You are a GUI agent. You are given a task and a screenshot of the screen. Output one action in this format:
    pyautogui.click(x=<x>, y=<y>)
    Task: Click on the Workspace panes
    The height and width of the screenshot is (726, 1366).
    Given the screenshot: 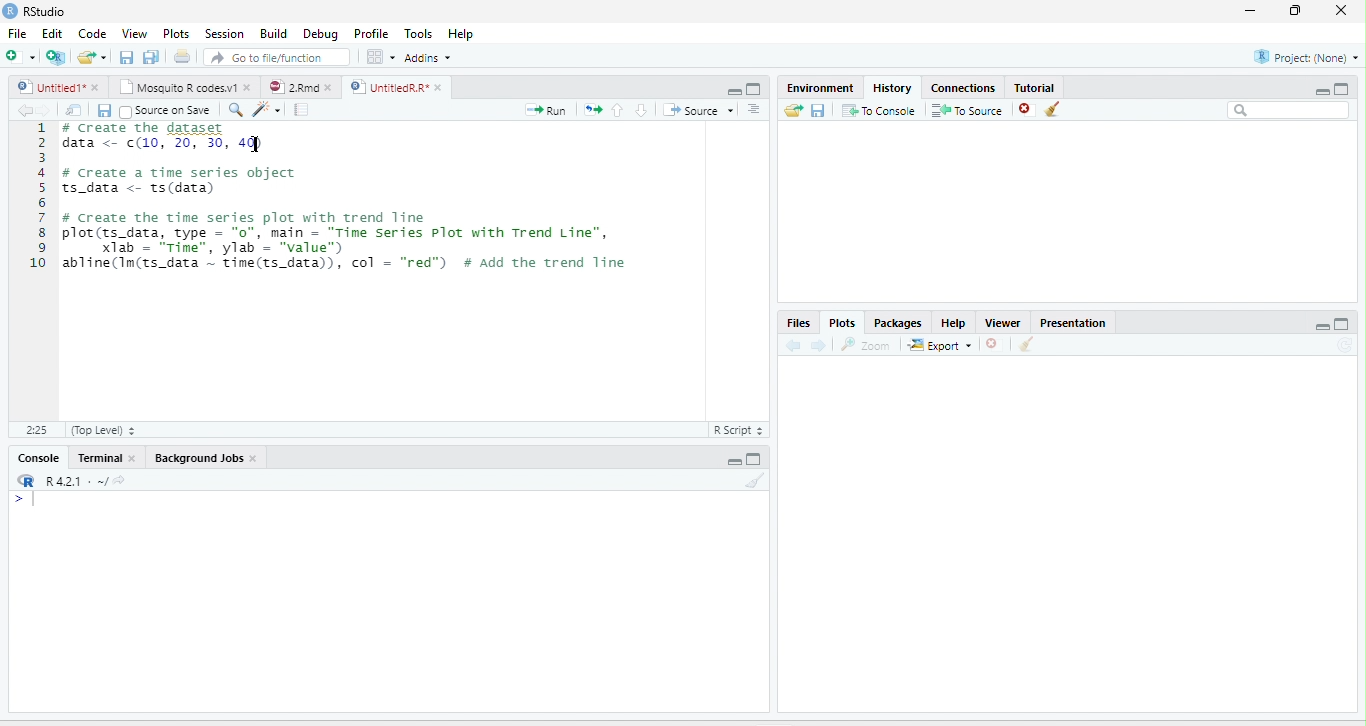 What is the action you would take?
    pyautogui.click(x=379, y=56)
    